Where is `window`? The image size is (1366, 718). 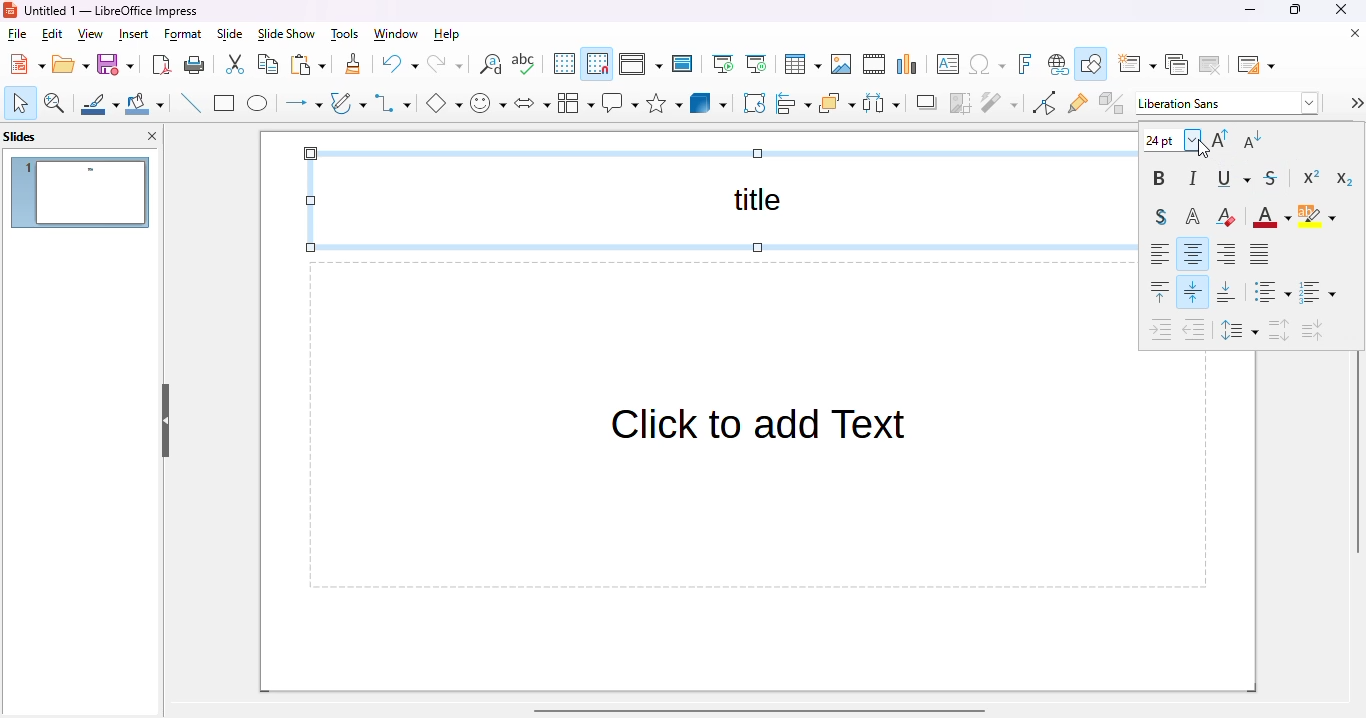
window is located at coordinates (396, 34).